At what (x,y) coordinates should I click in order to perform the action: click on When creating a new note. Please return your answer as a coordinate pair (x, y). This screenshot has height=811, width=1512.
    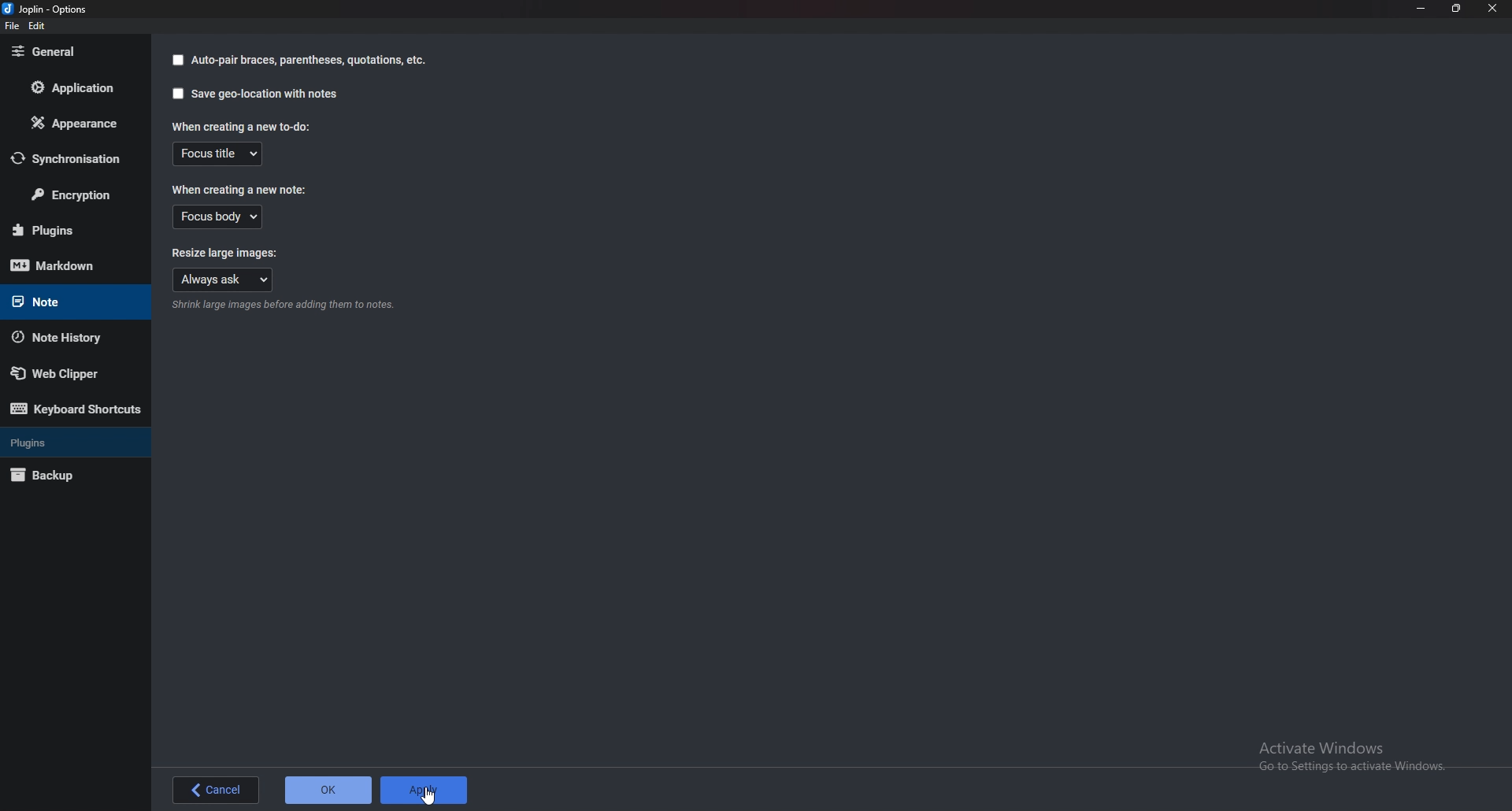
    Looking at the image, I should click on (238, 191).